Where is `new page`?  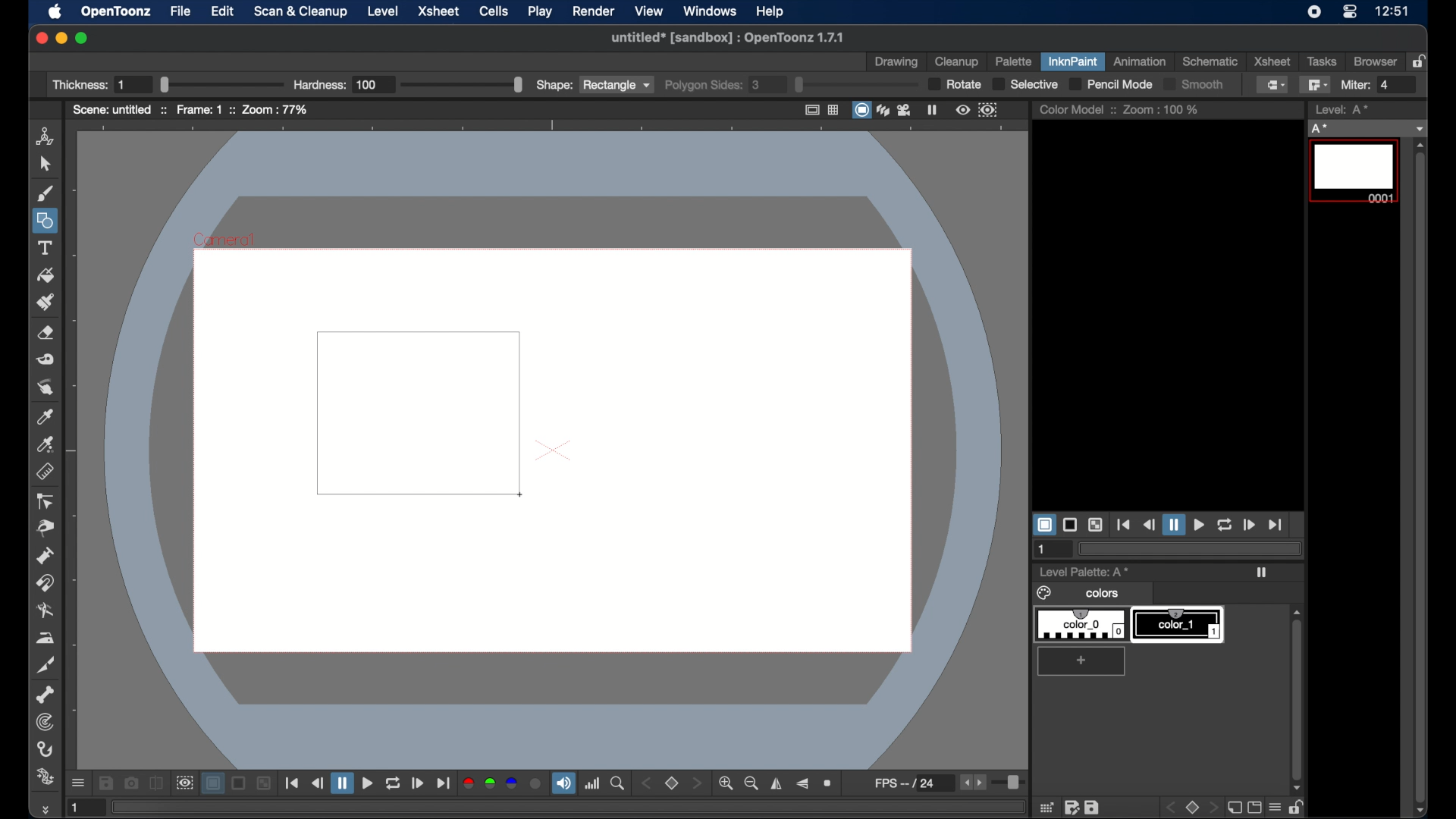 new page is located at coordinates (1232, 806).